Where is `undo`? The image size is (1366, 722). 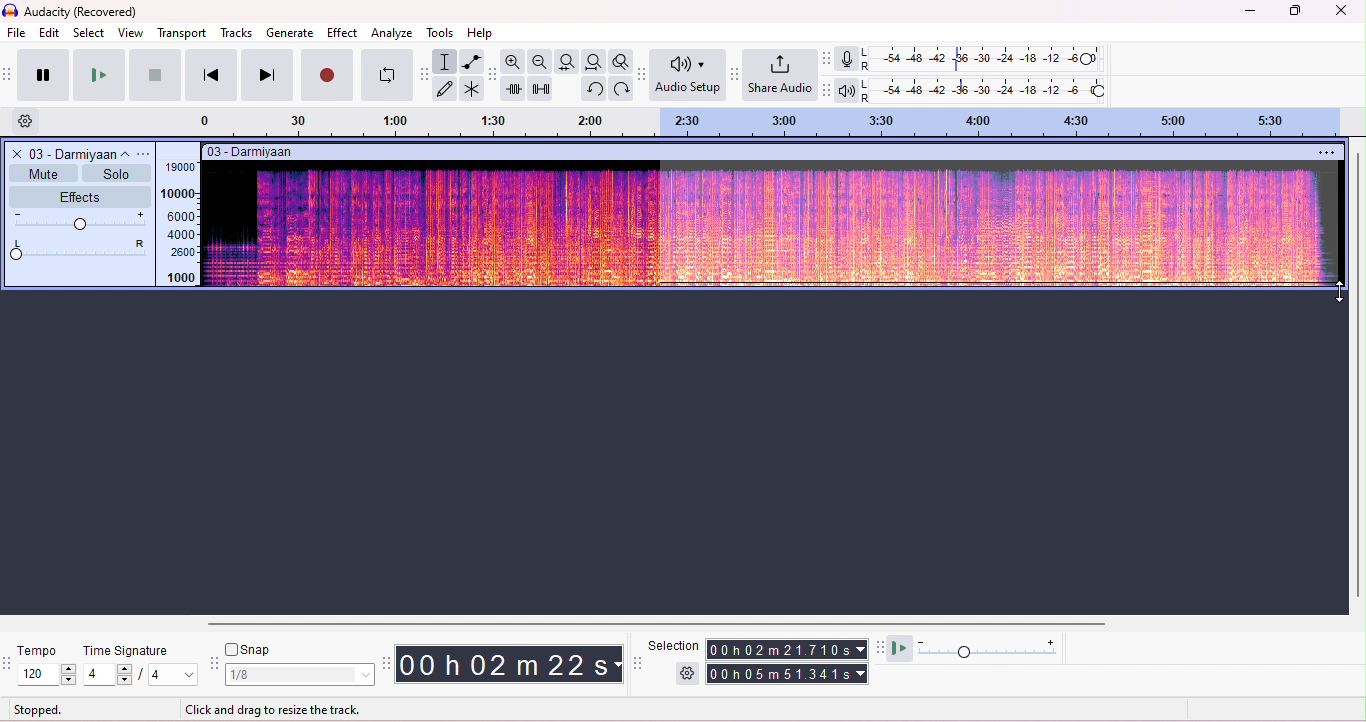
undo is located at coordinates (593, 89).